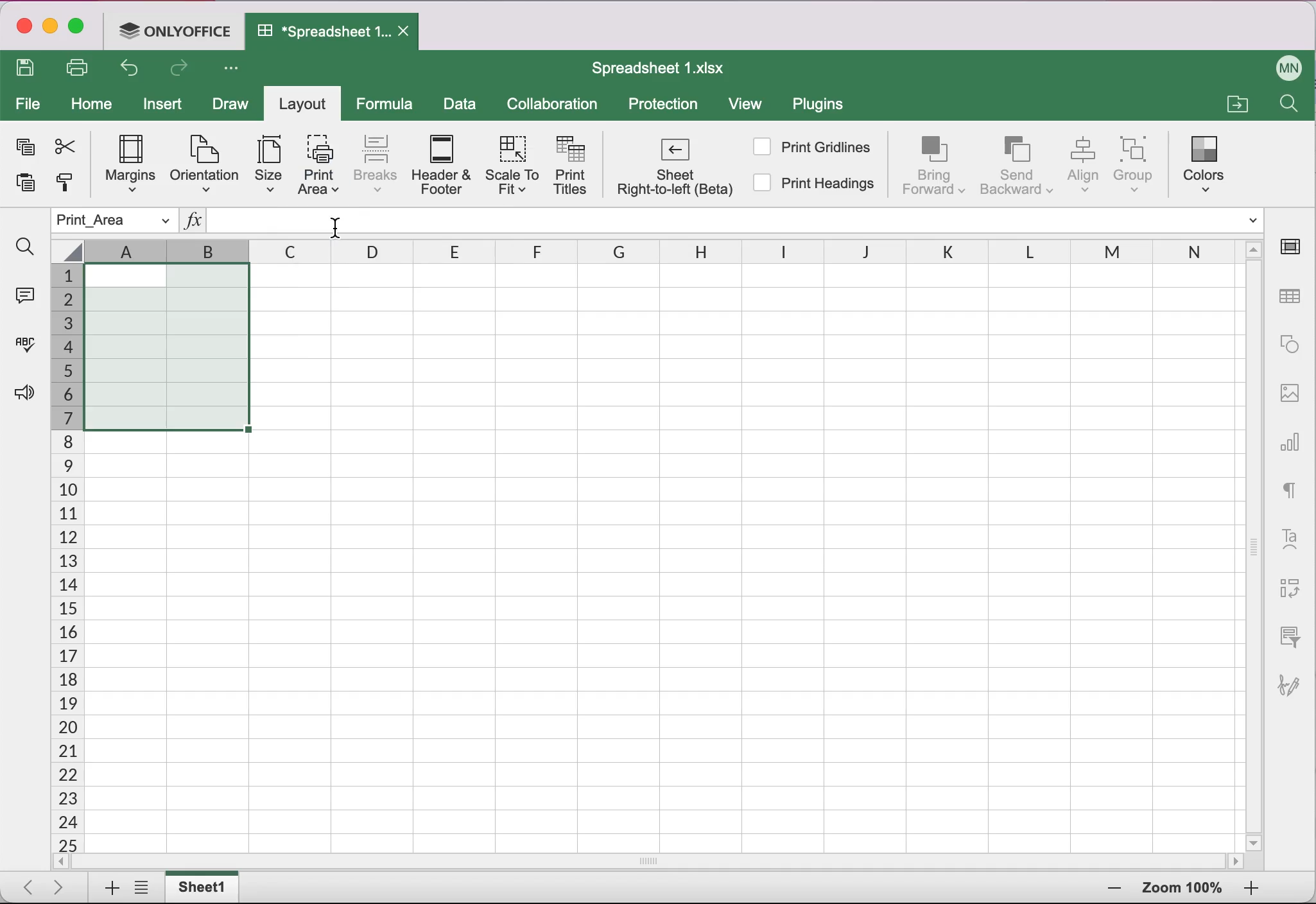 This screenshot has width=1316, height=904. Describe the element at coordinates (182, 71) in the screenshot. I see `redo` at that location.